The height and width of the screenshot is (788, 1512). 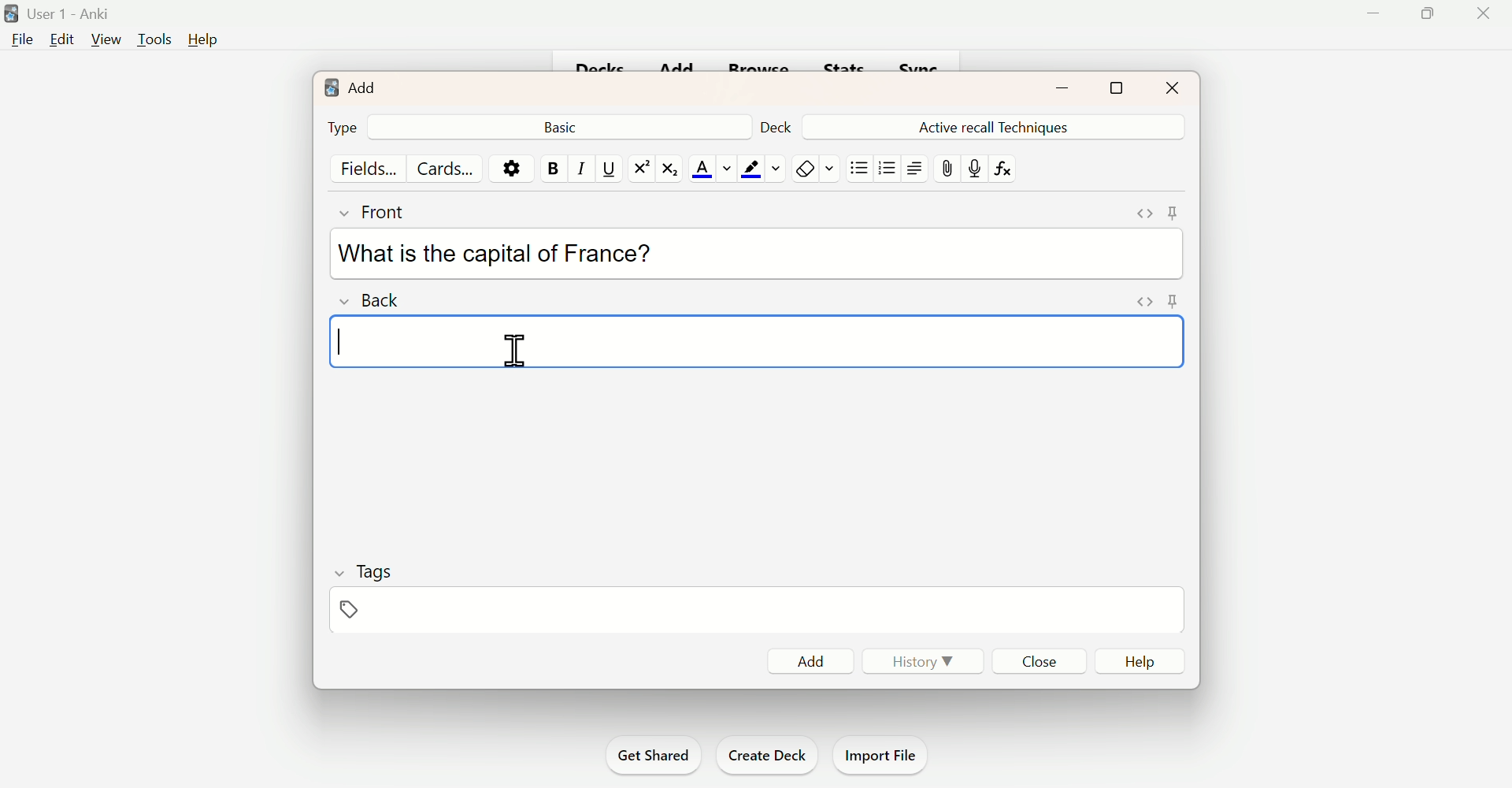 What do you see at coordinates (576, 167) in the screenshot?
I see `Italiac` at bounding box center [576, 167].